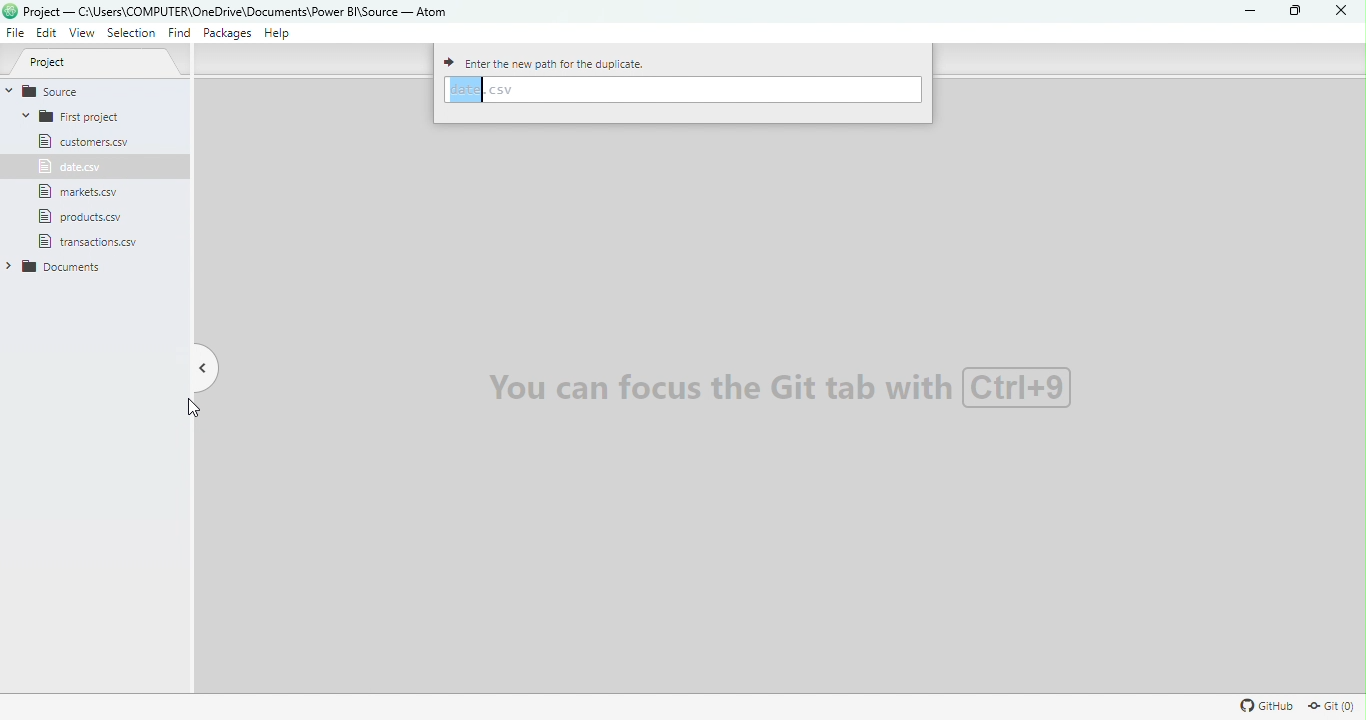 The image size is (1366, 720). What do you see at coordinates (84, 217) in the screenshot?
I see `File` at bounding box center [84, 217].